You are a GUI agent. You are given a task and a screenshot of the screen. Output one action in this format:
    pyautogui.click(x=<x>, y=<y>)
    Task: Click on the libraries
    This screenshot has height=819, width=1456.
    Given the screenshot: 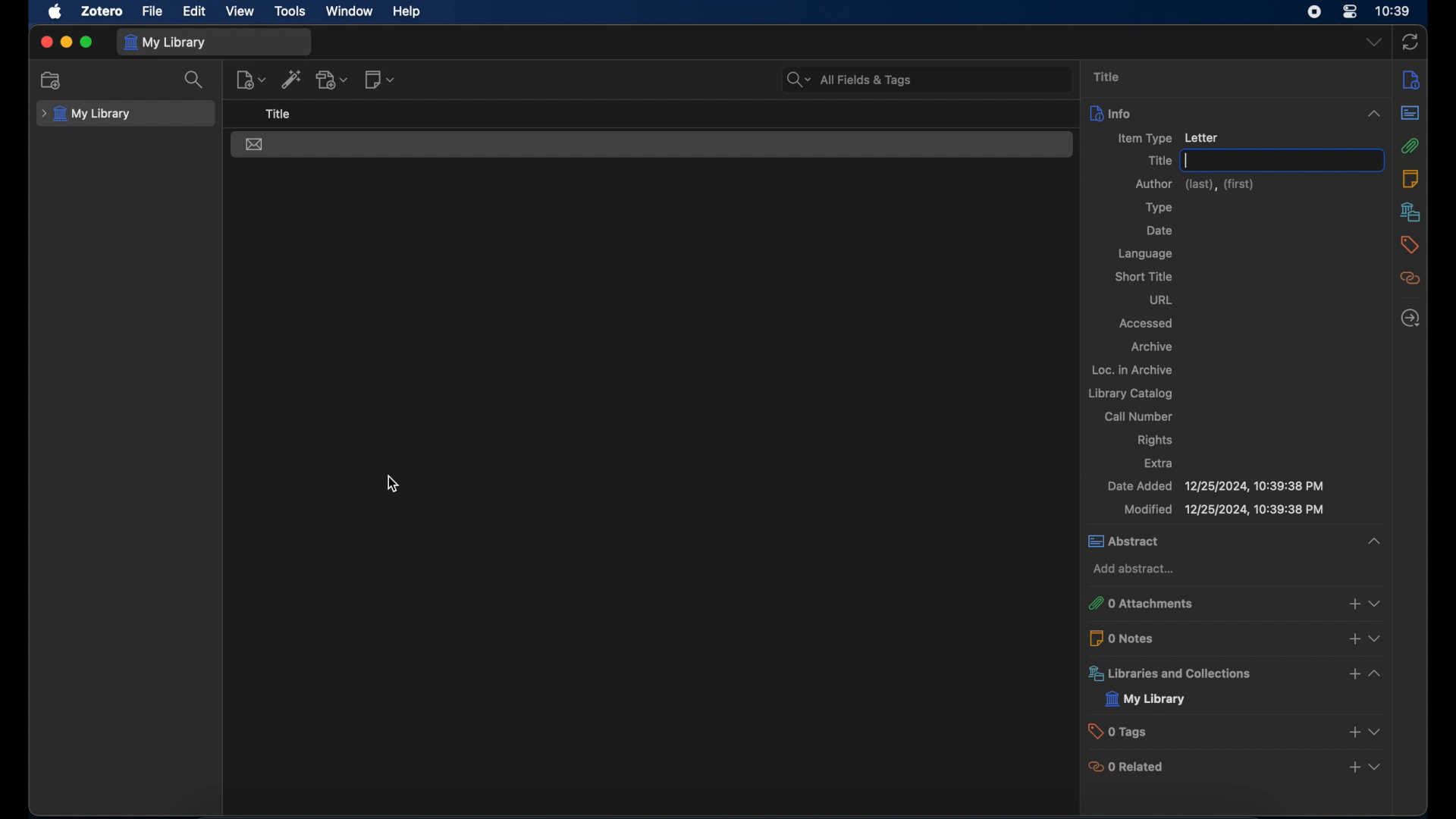 What is the action you would take?
    pyautogui.click(x=1169, y=673)
    